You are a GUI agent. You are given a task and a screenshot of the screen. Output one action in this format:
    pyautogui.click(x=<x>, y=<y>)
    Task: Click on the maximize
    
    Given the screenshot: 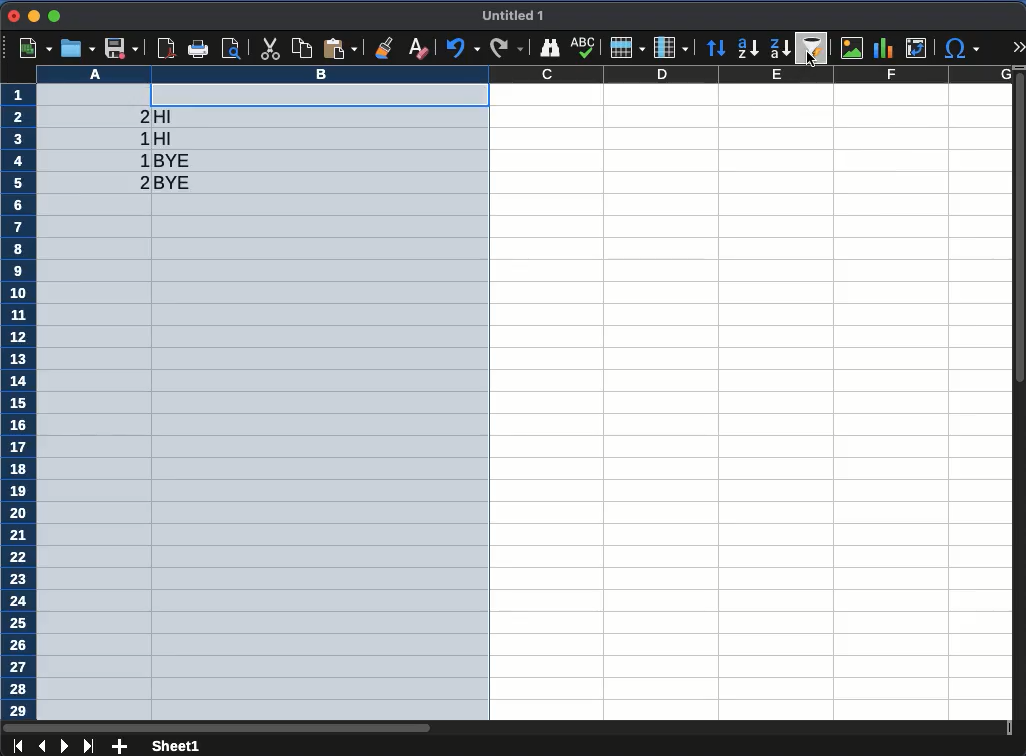 What is the action you would take?
    pyautogui.click(x=56, y=16)
    